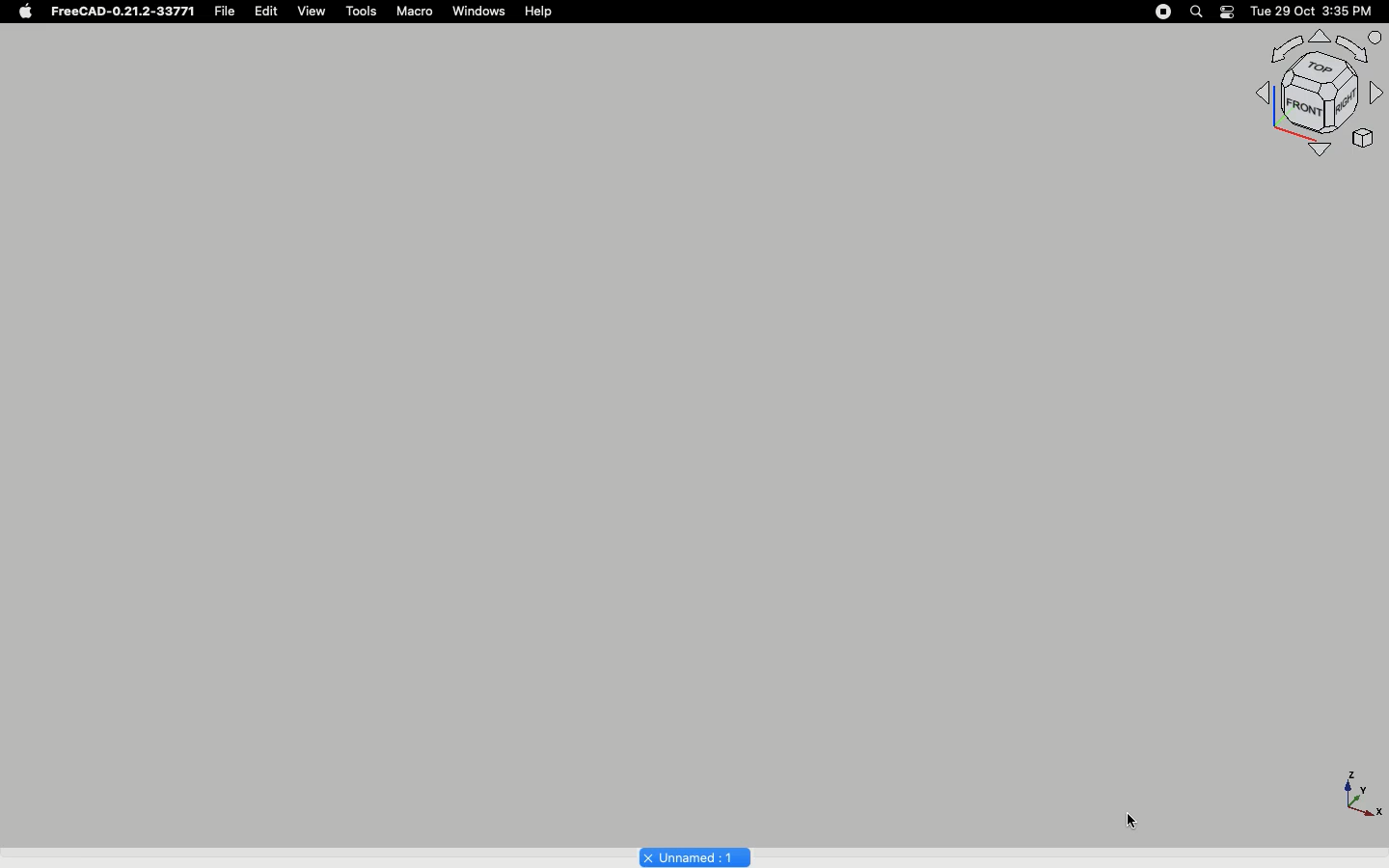 The height and width of the screenshot is (868, 1389). What do you see at coordinates (1195, 12) in the screenshot?
I see `search` at bounding box center [1195, 12].